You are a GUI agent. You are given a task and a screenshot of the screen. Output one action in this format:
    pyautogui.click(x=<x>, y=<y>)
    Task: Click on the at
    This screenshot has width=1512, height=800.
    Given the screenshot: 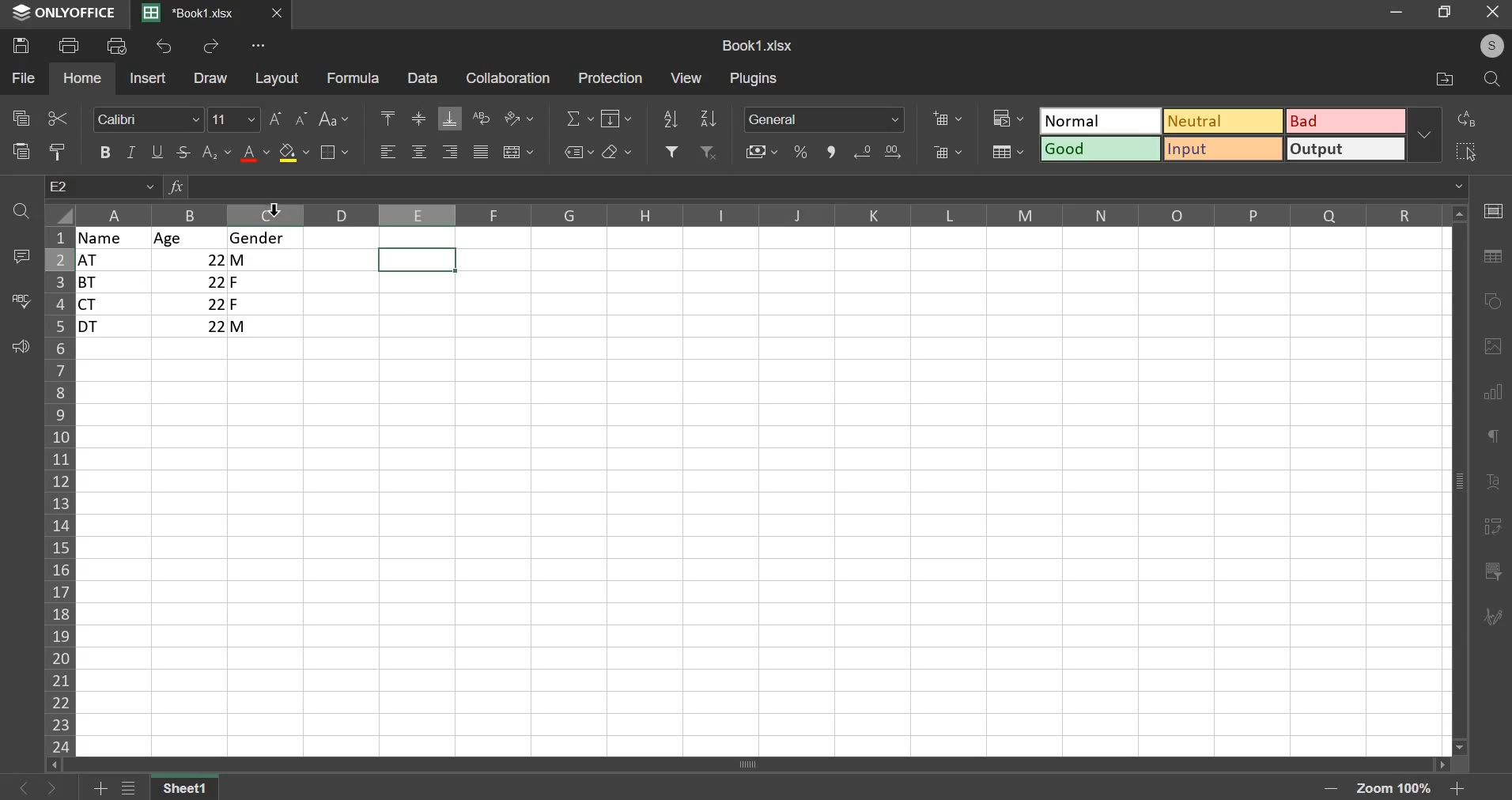 What is the action you would take?
    pyautogui.click(x=113, y=260)
    